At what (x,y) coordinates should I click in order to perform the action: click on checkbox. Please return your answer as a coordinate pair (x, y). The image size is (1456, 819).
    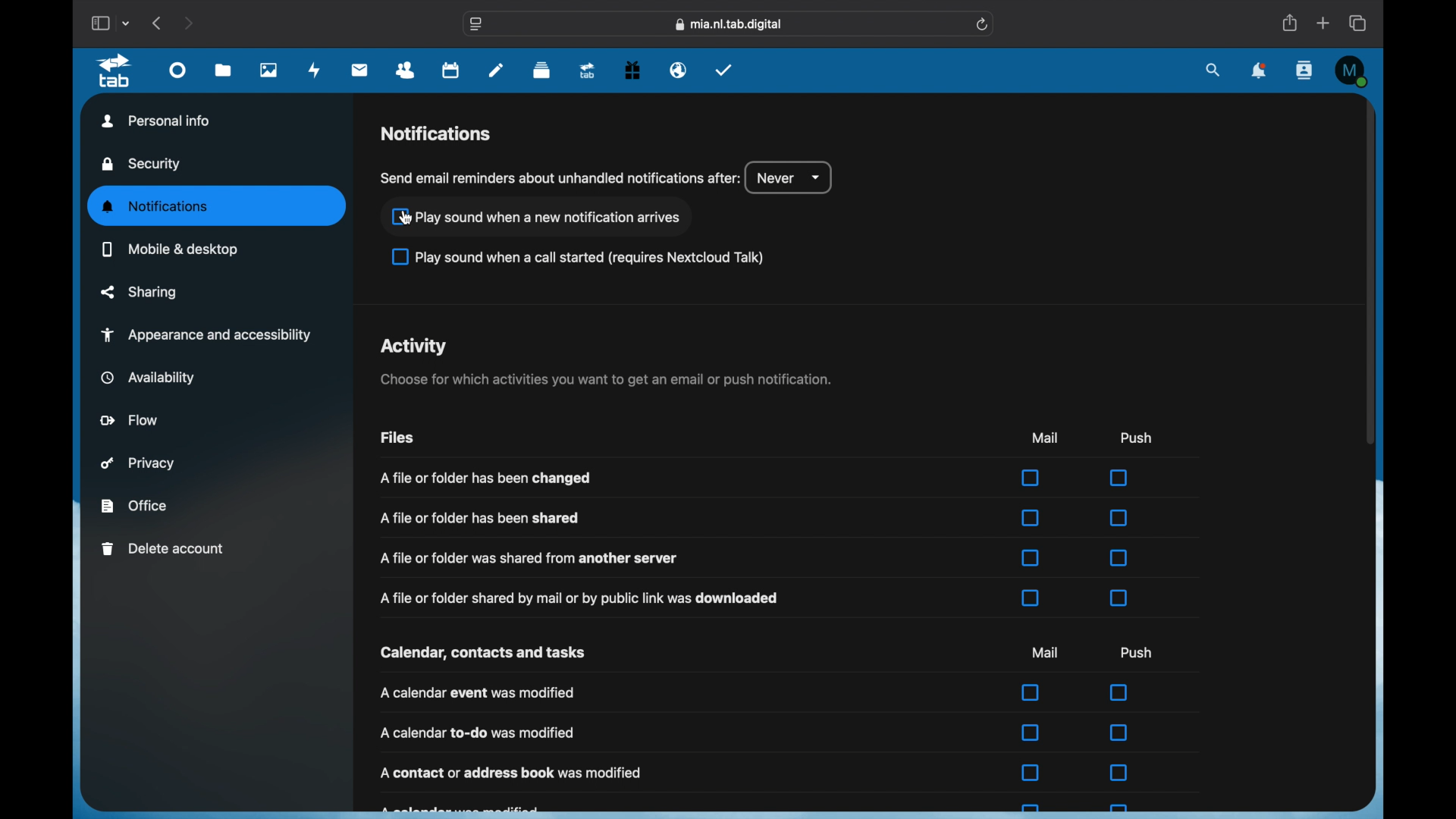
    Looking at the image, I should click on (1030, 731).